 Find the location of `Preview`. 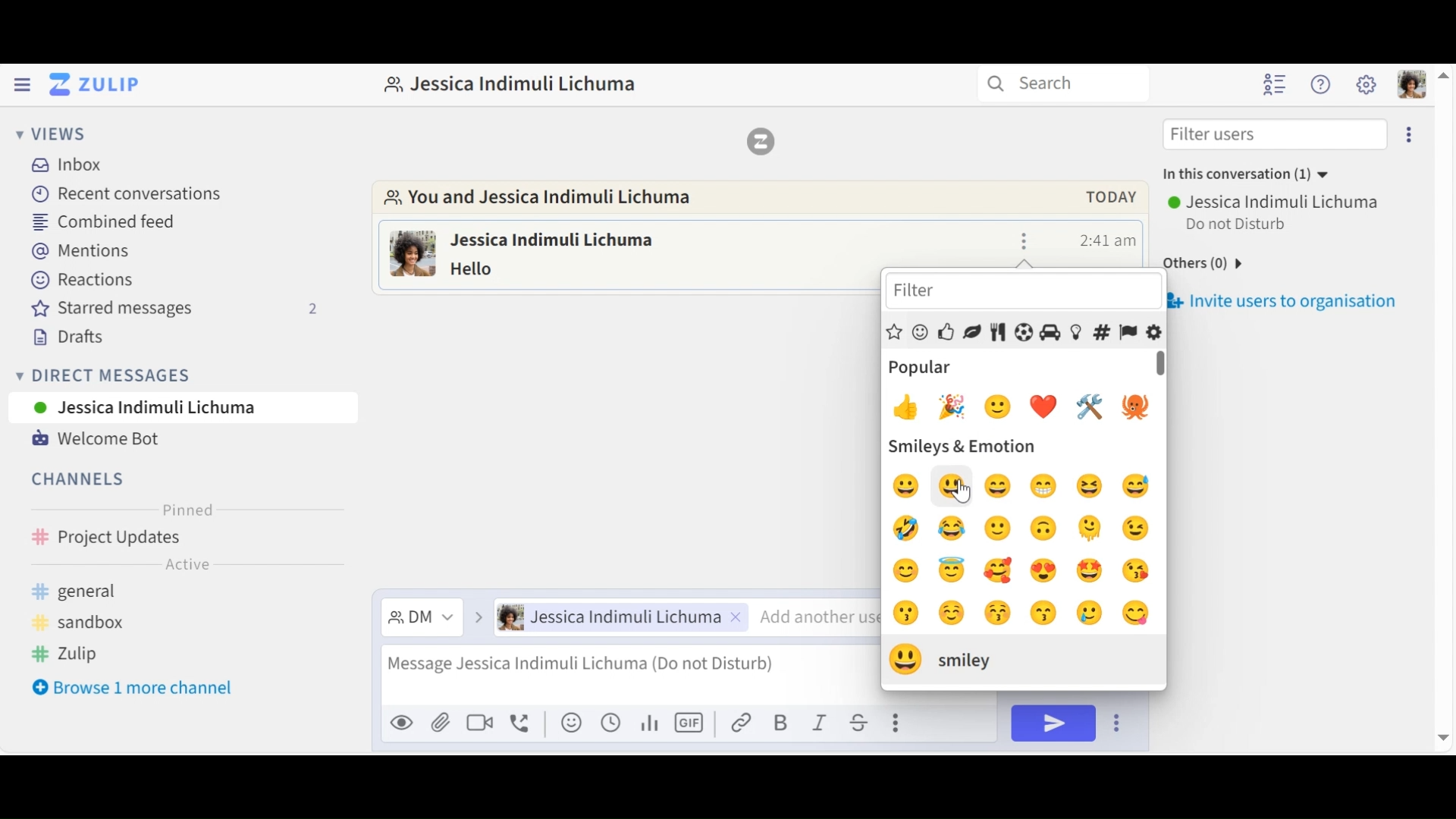

Preview is located at coordinates (403, 725).